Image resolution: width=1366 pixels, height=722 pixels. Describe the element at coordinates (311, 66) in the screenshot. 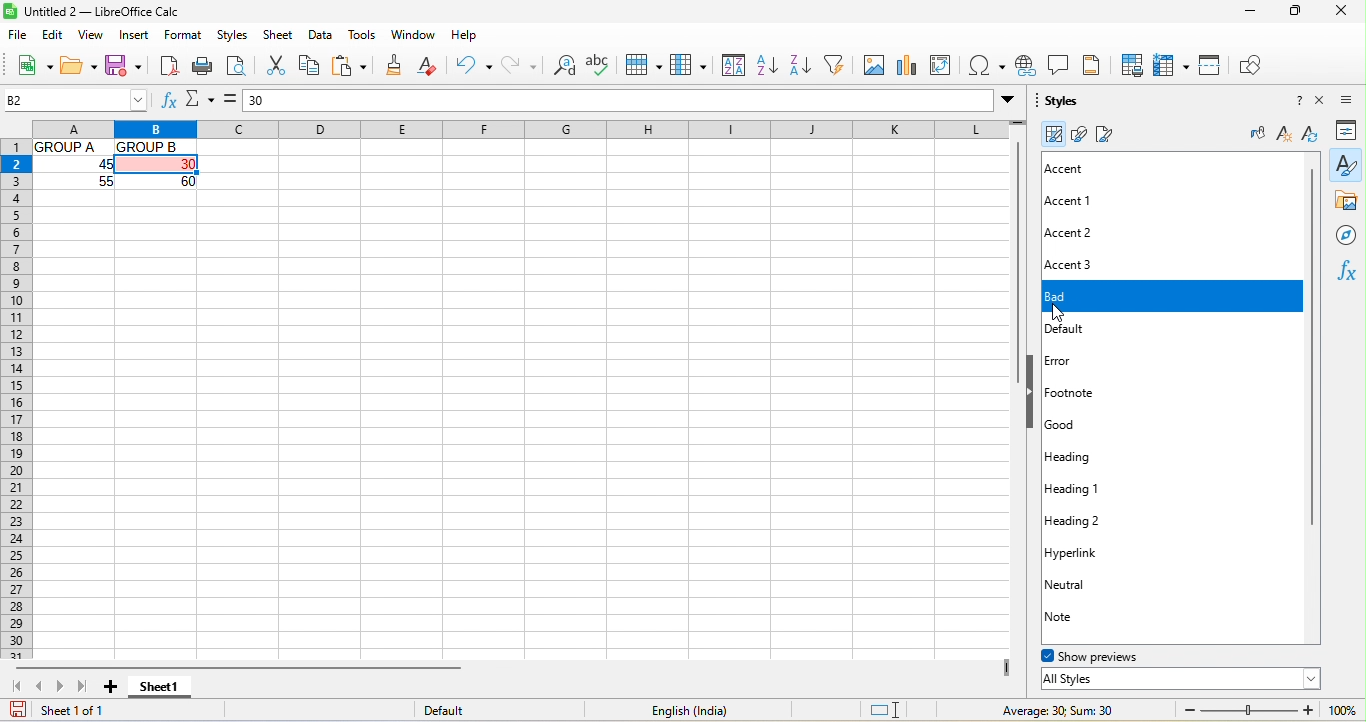

I see `copy` at that location.